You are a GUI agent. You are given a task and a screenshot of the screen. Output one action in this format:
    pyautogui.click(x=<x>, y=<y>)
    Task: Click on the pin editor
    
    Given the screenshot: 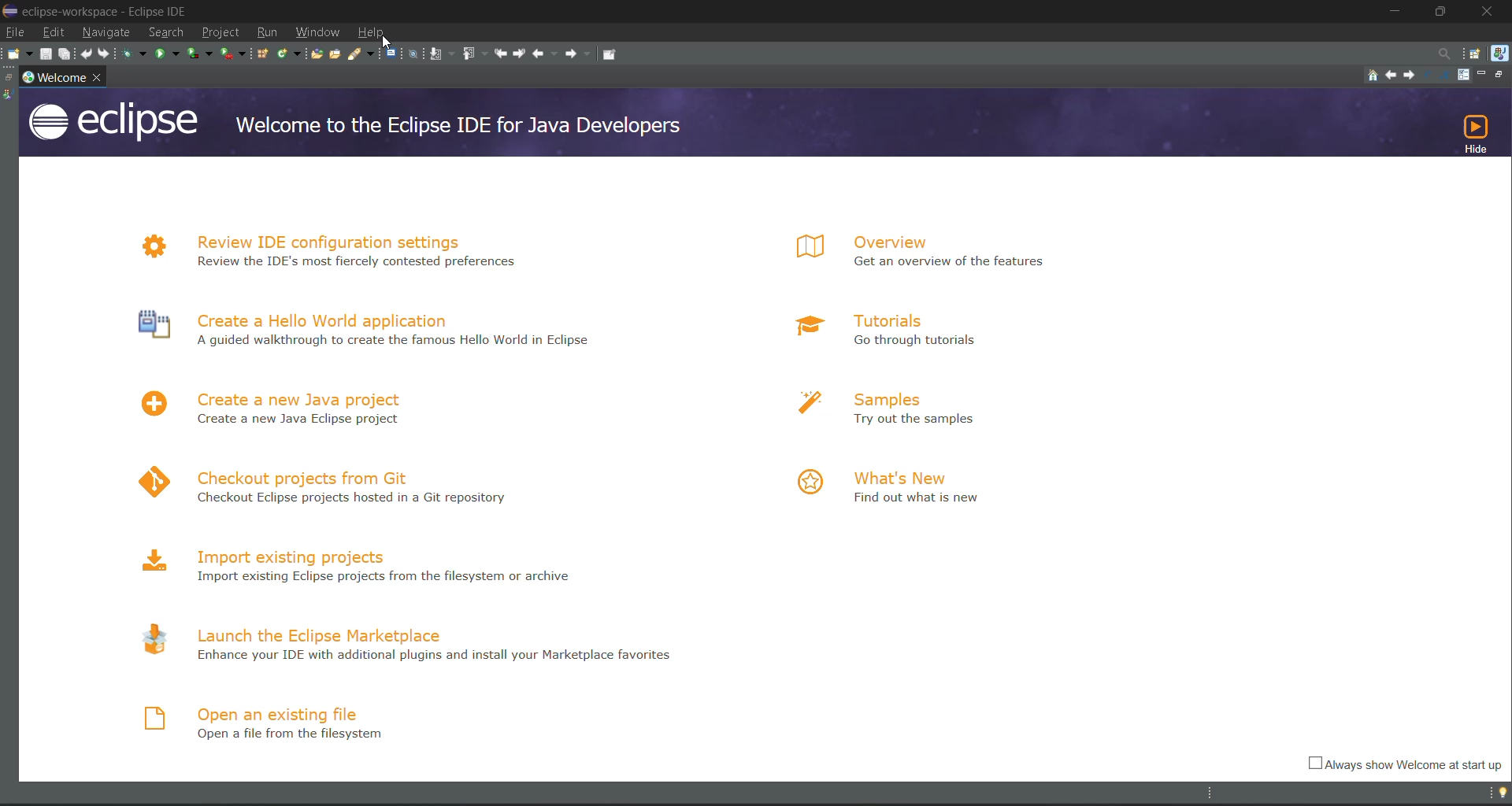 What is the action you would take?
    pyautogui.click(x=609, y=54)
    